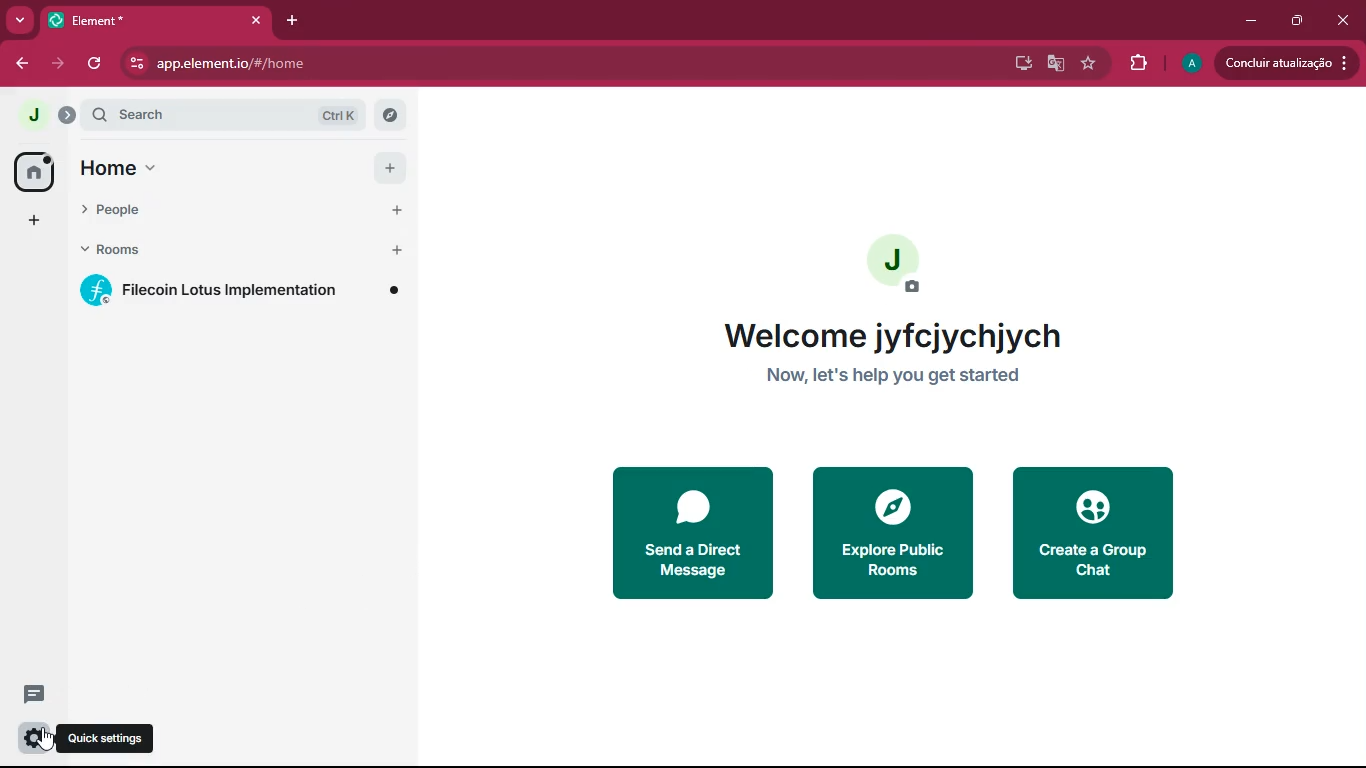  I want to click on add, so click(30, 222).